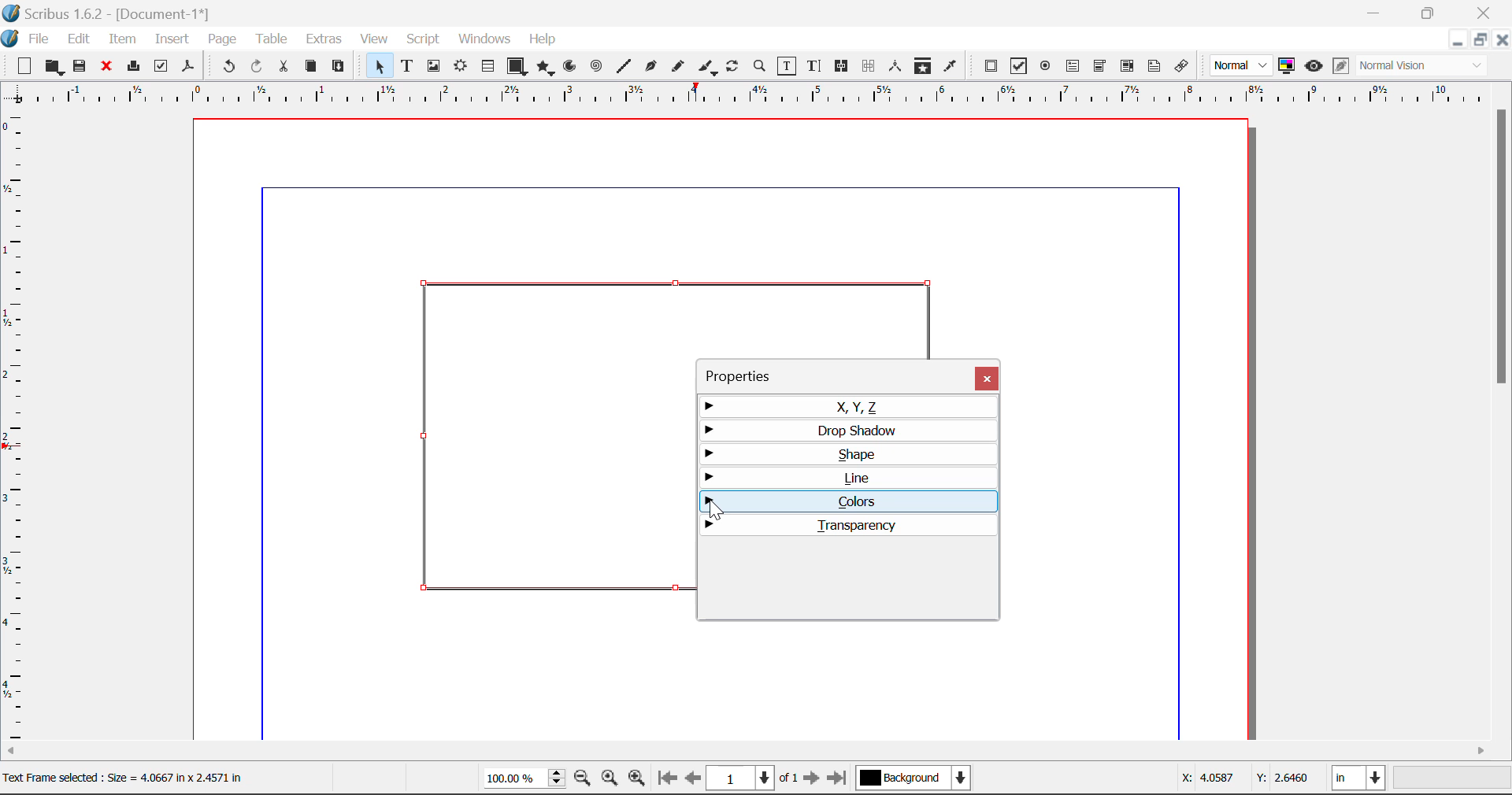 The height and width of the screenshot is (795, 1512). Describe the element at coordinates (28, 37) in the screenshot. I see `File` at that location.